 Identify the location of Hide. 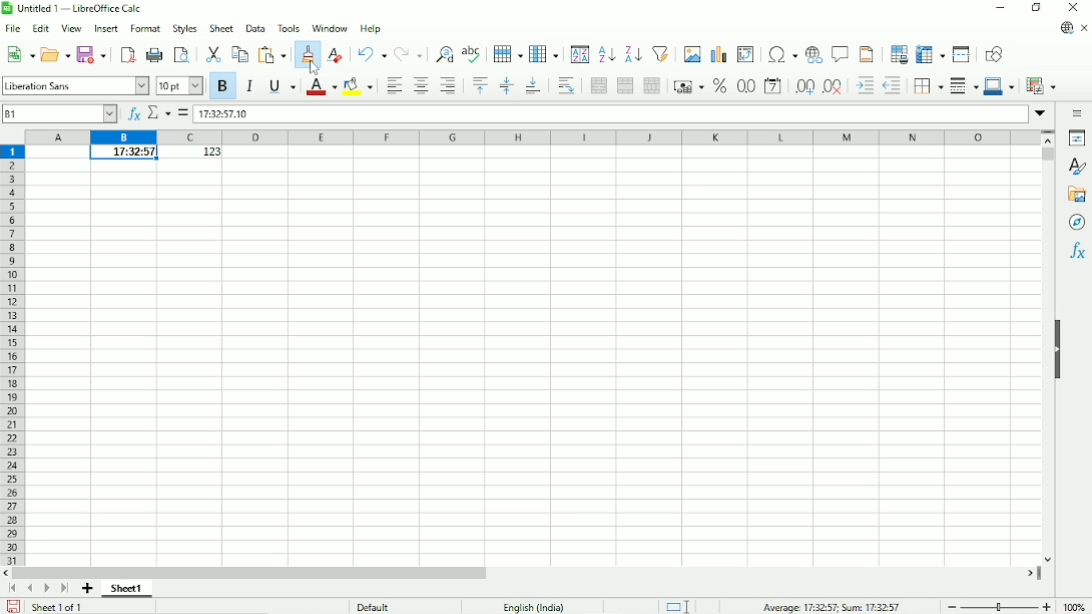
(1060, 354).